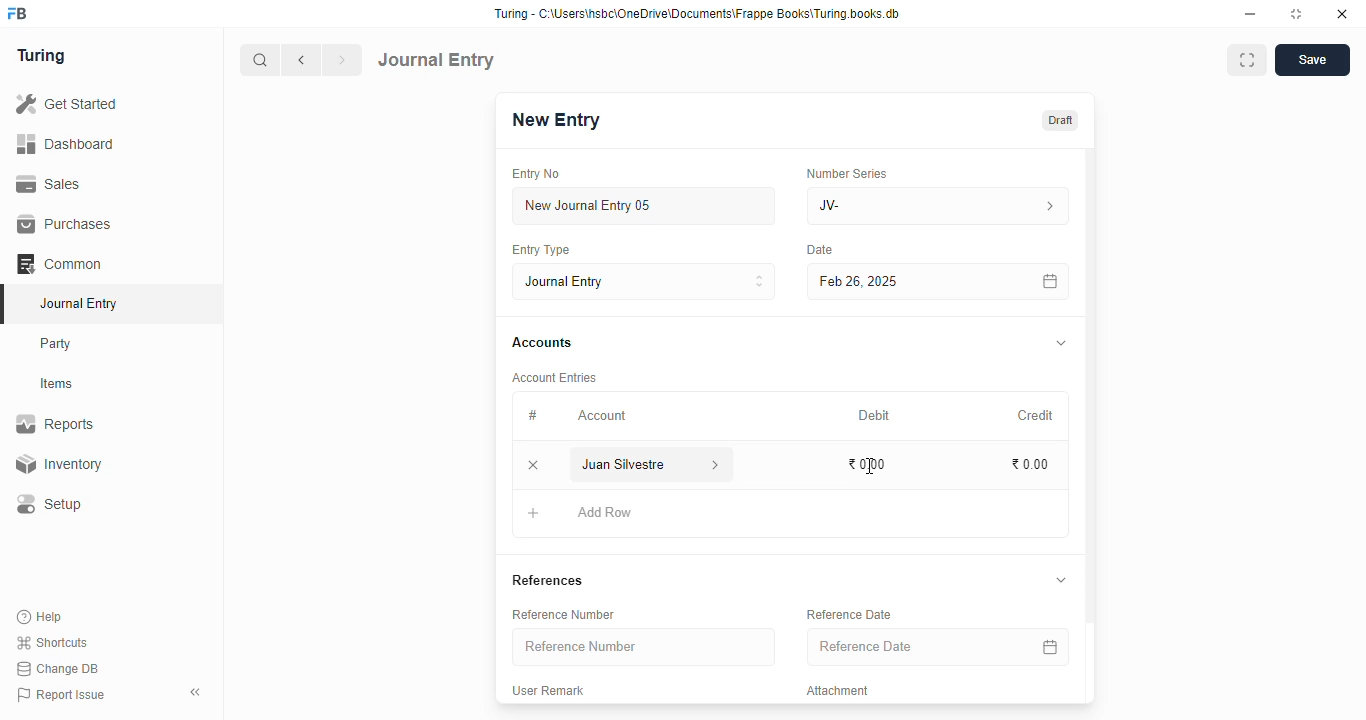 This screenshot has width=1366, height=720. I want to click on dashboard, so click(66, 143).